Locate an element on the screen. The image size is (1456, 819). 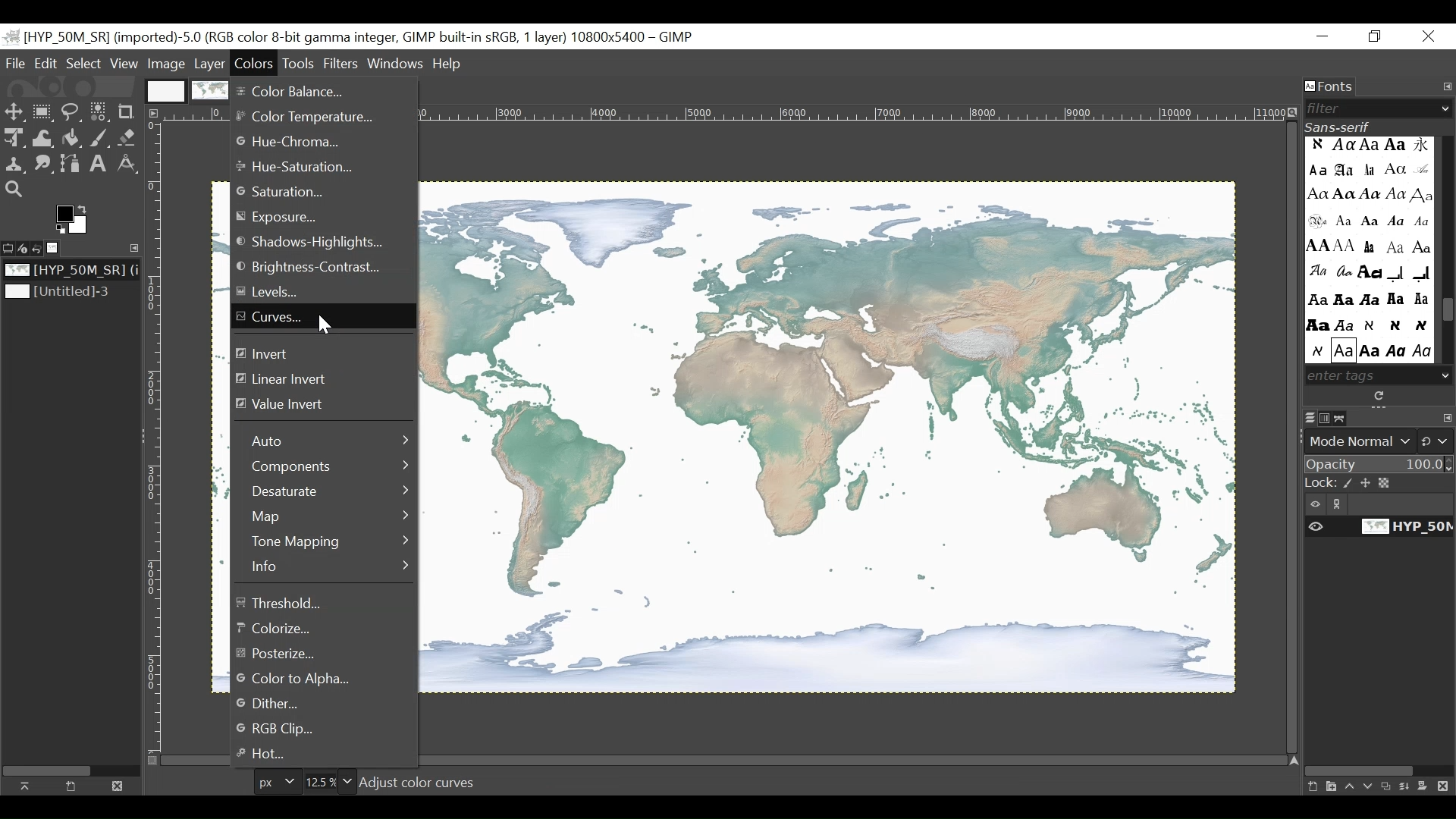
Create a new display is located at coordinates (71, 786).